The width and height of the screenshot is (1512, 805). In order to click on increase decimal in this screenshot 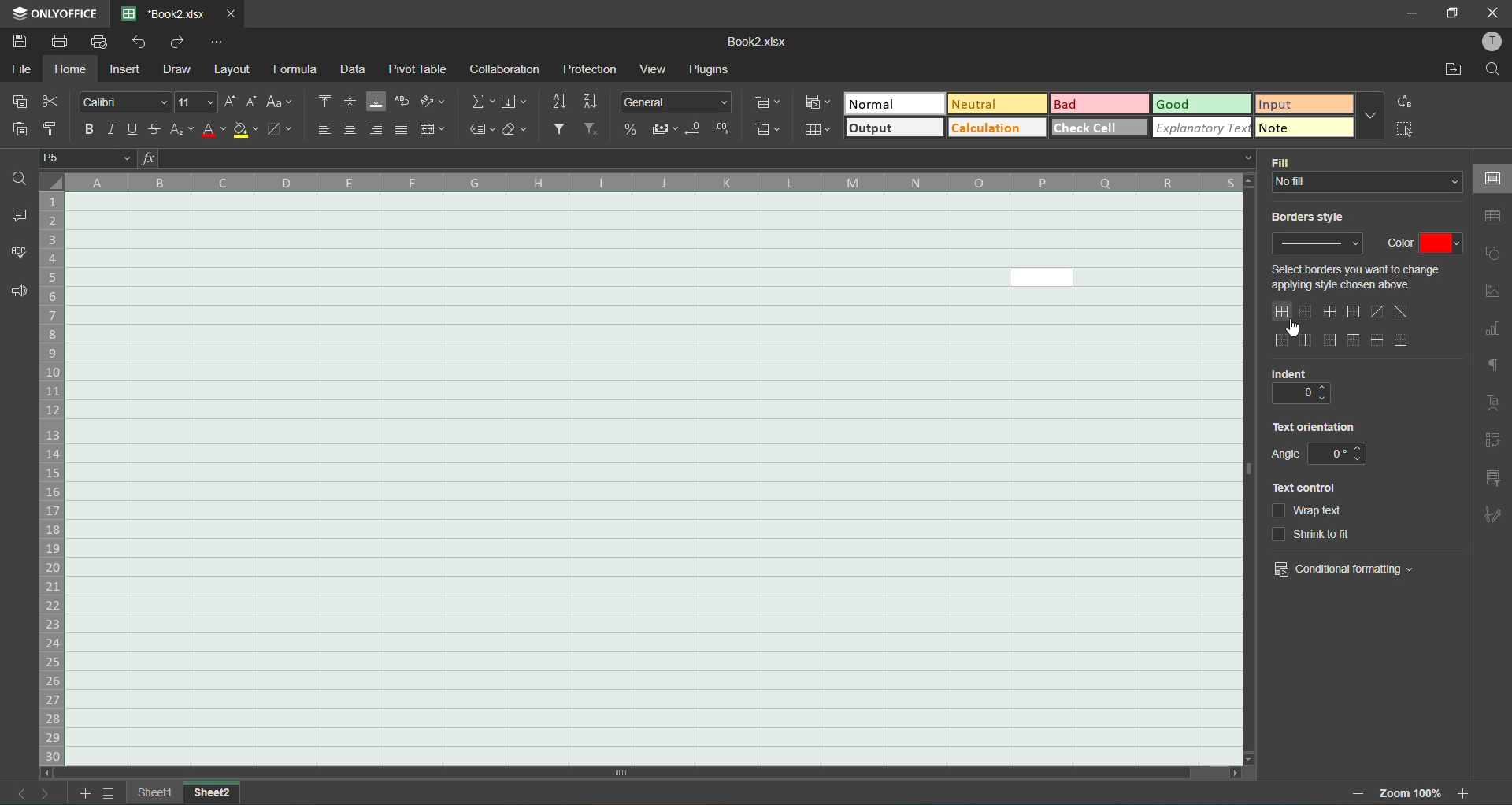, I will do `click(724, 128)`.